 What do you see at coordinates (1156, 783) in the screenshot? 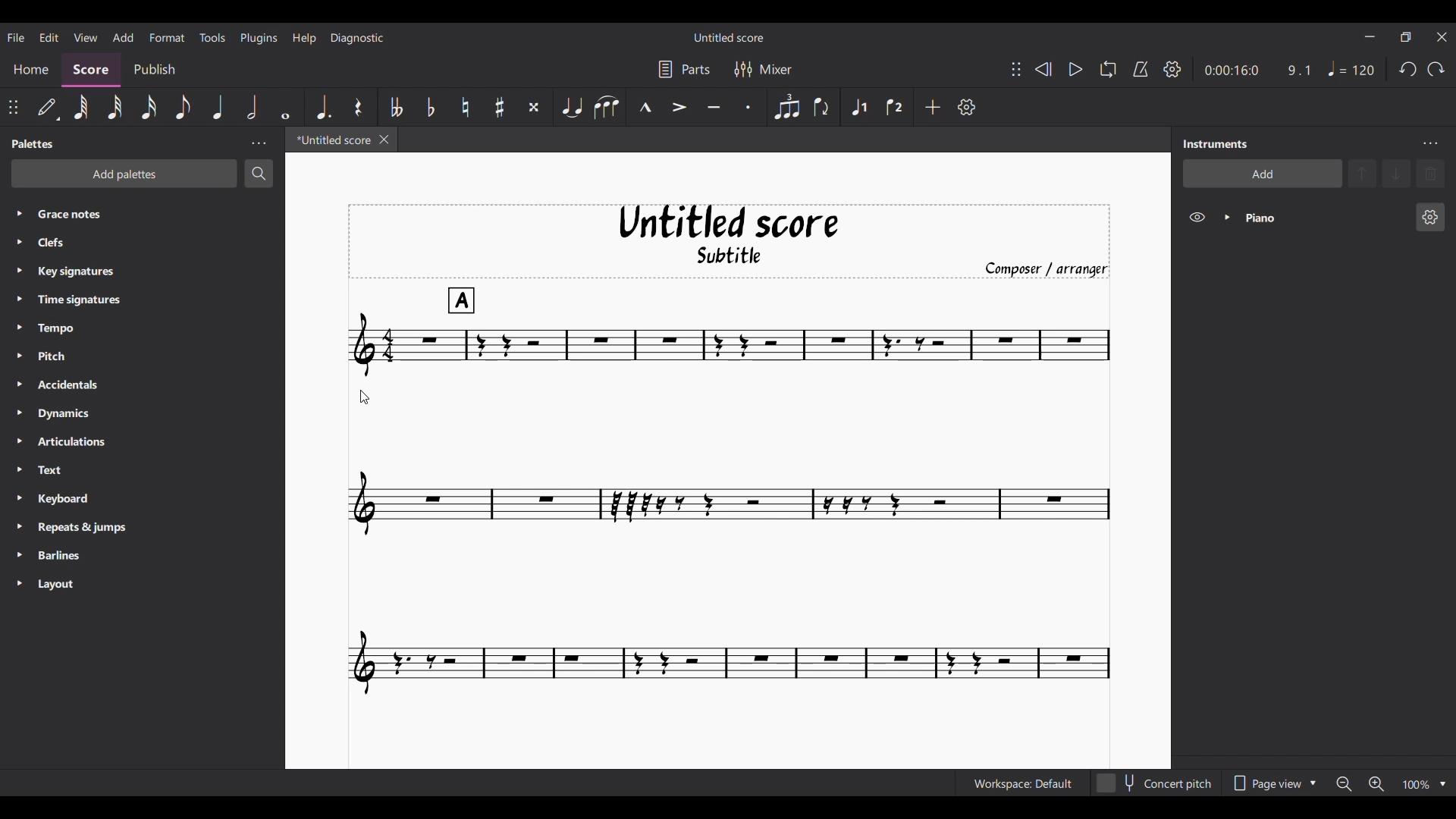
I see `Toggle content pitch` at bounding box center [1156, 783].